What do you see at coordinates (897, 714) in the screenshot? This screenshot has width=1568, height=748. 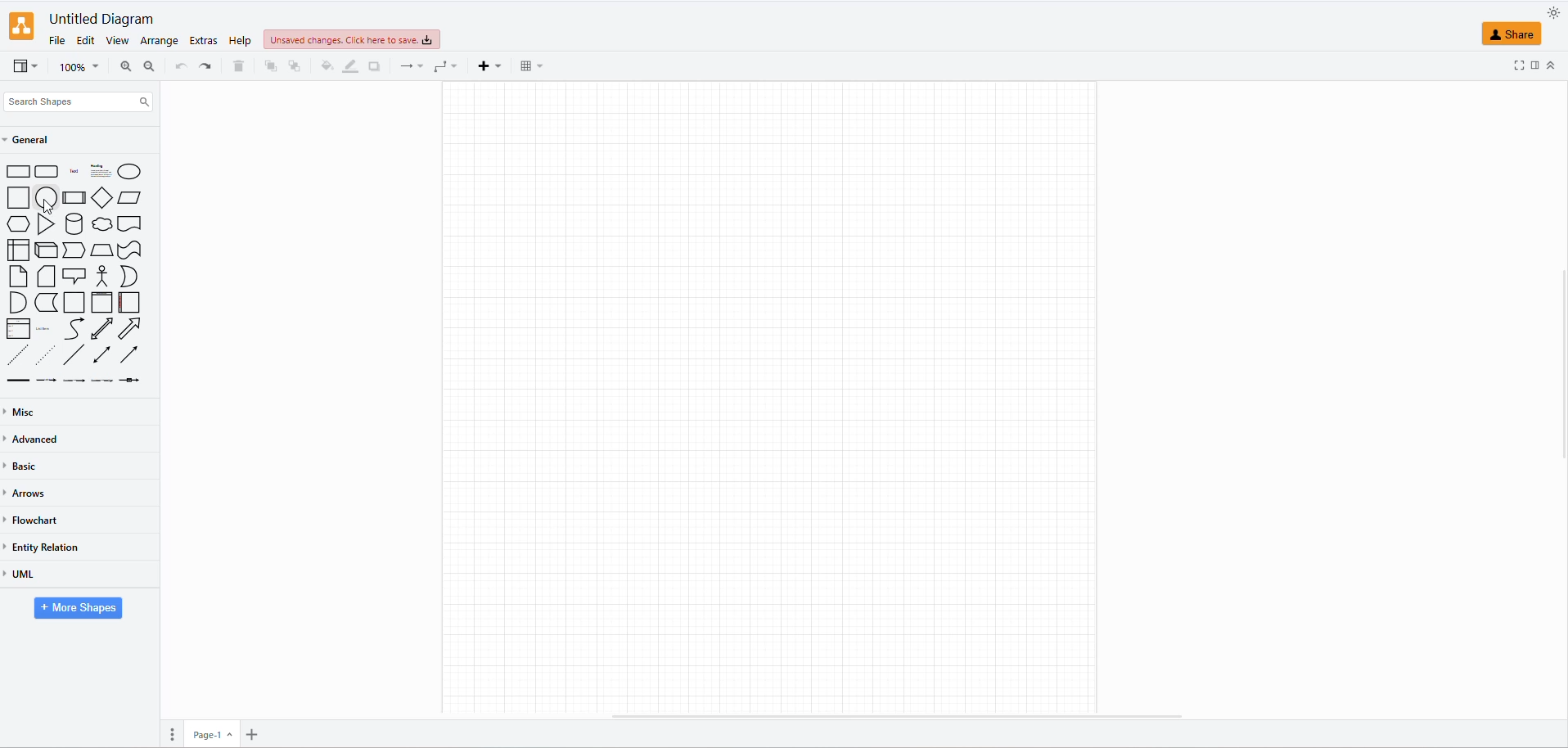 I see `scroll bar` at bounding box center [897, 714].